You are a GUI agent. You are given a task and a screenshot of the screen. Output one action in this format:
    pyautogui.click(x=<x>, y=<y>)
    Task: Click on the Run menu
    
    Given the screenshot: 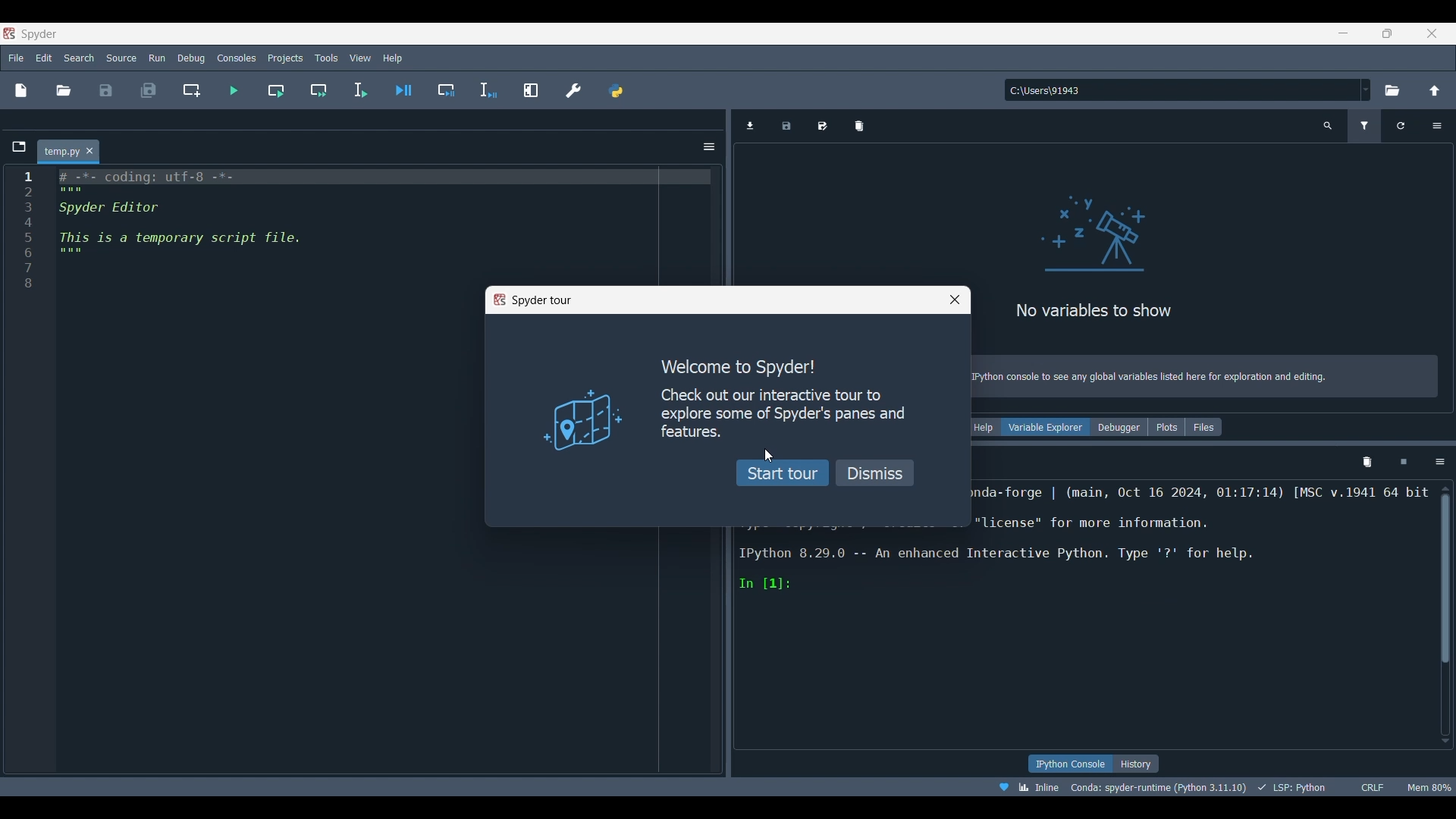 What is the action you would take?
    pyautogui.click(x=155, y=58)
    